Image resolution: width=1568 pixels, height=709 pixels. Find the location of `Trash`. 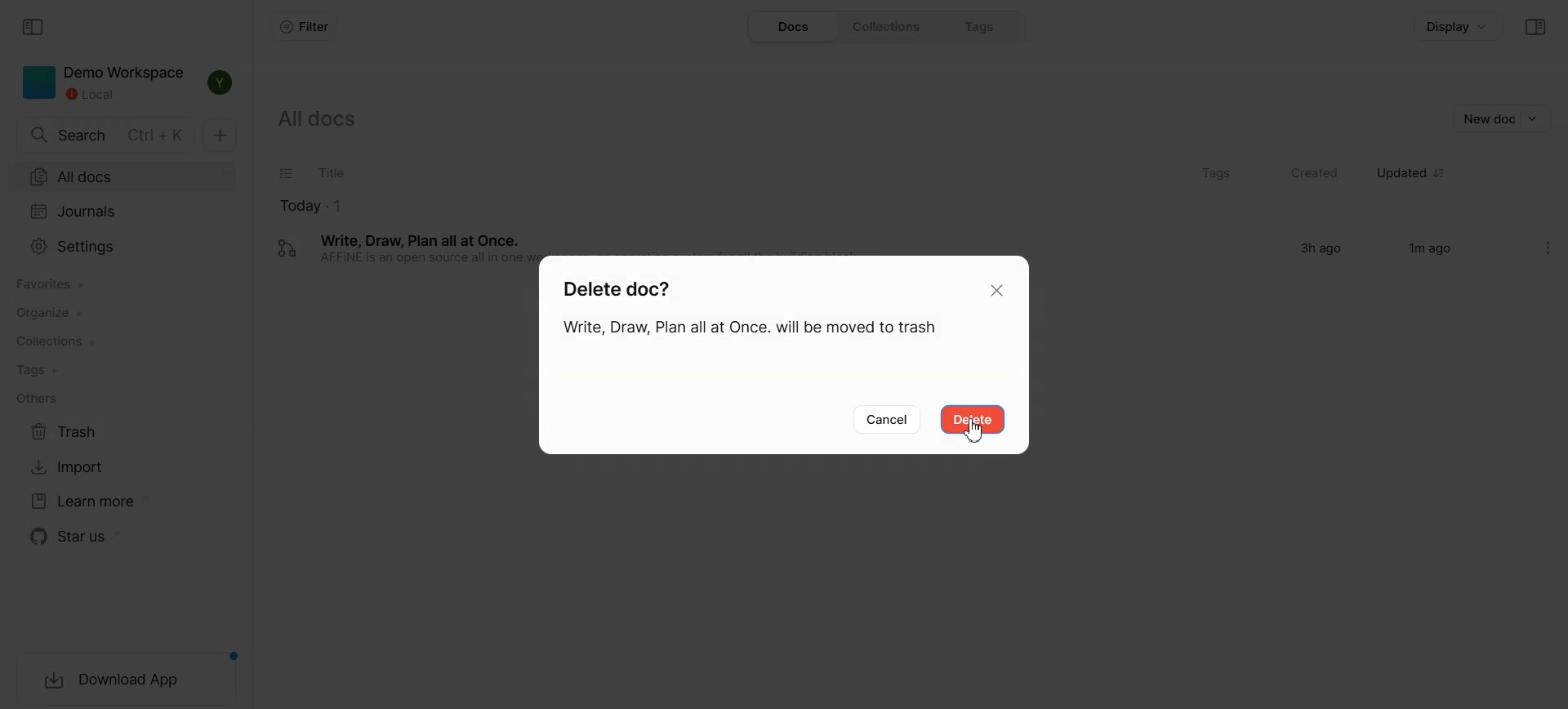

Trash is located at coordinates (107, 433).